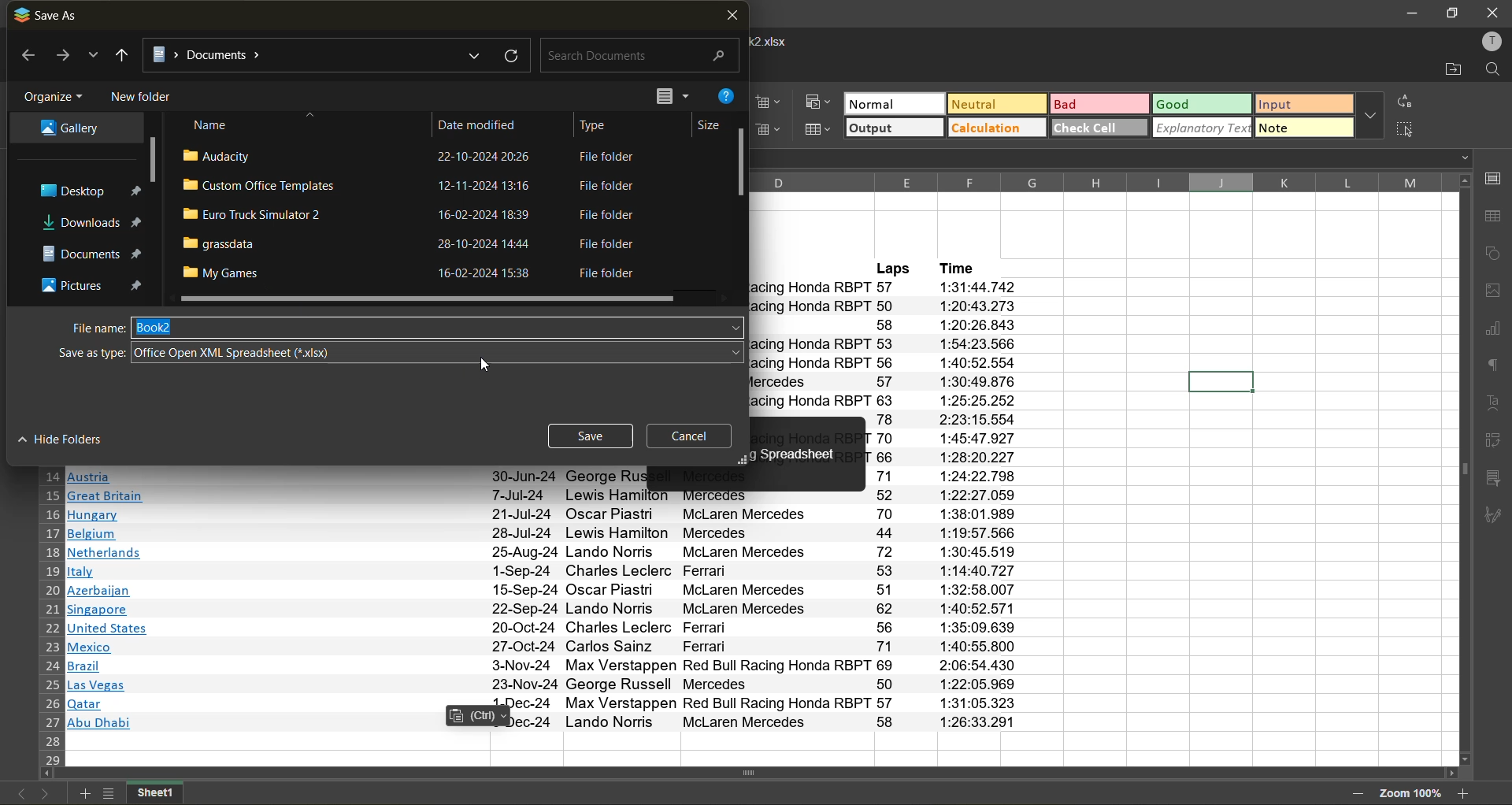  What do you see at coordinates (484, 367) in the screenshot?
I see `Cursor` at bounding box center [484, 367].